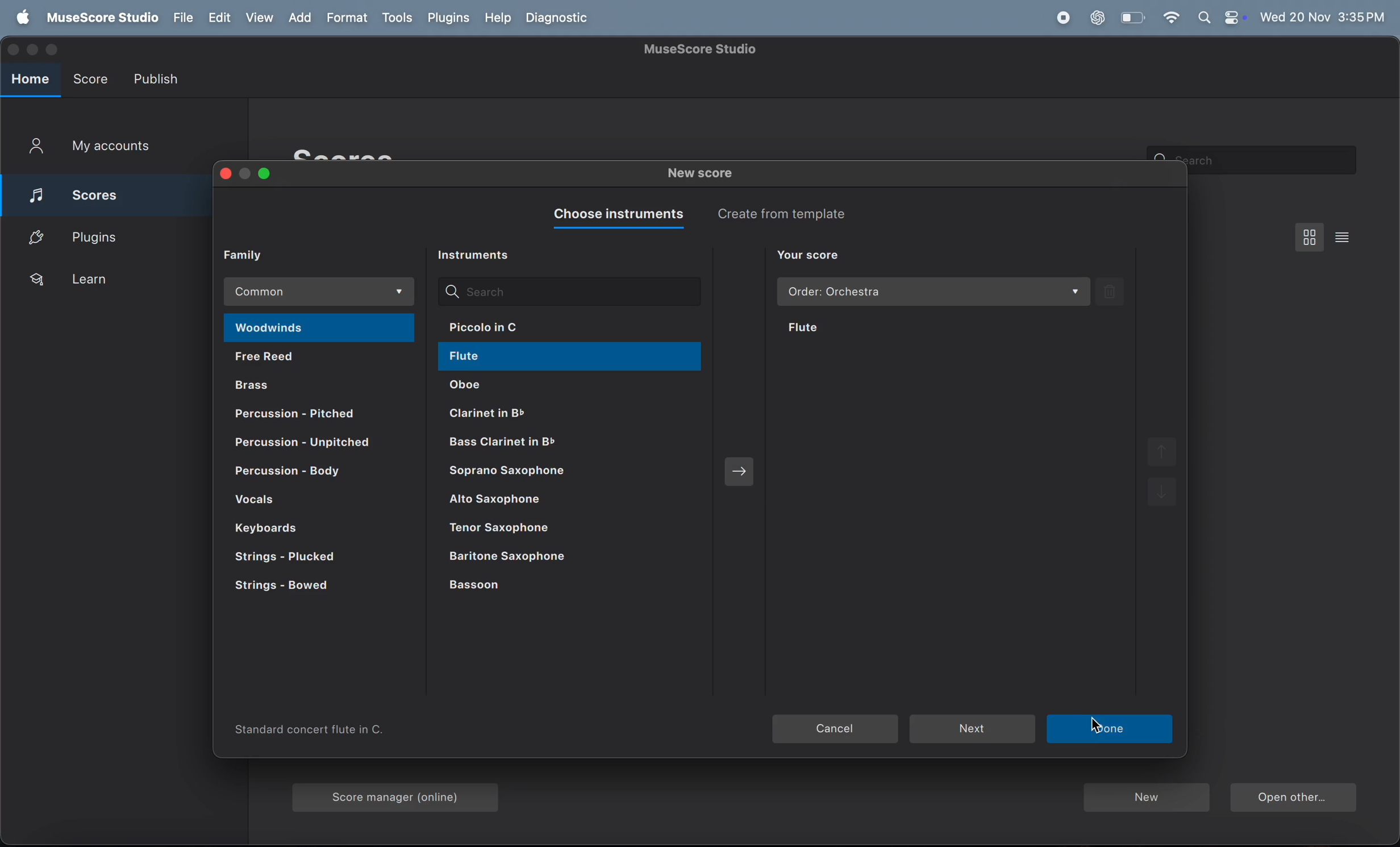  What do you see at coordinates (400, 794) in the screenshot?
I see `score mangager online` at bounding box center [400, 794].